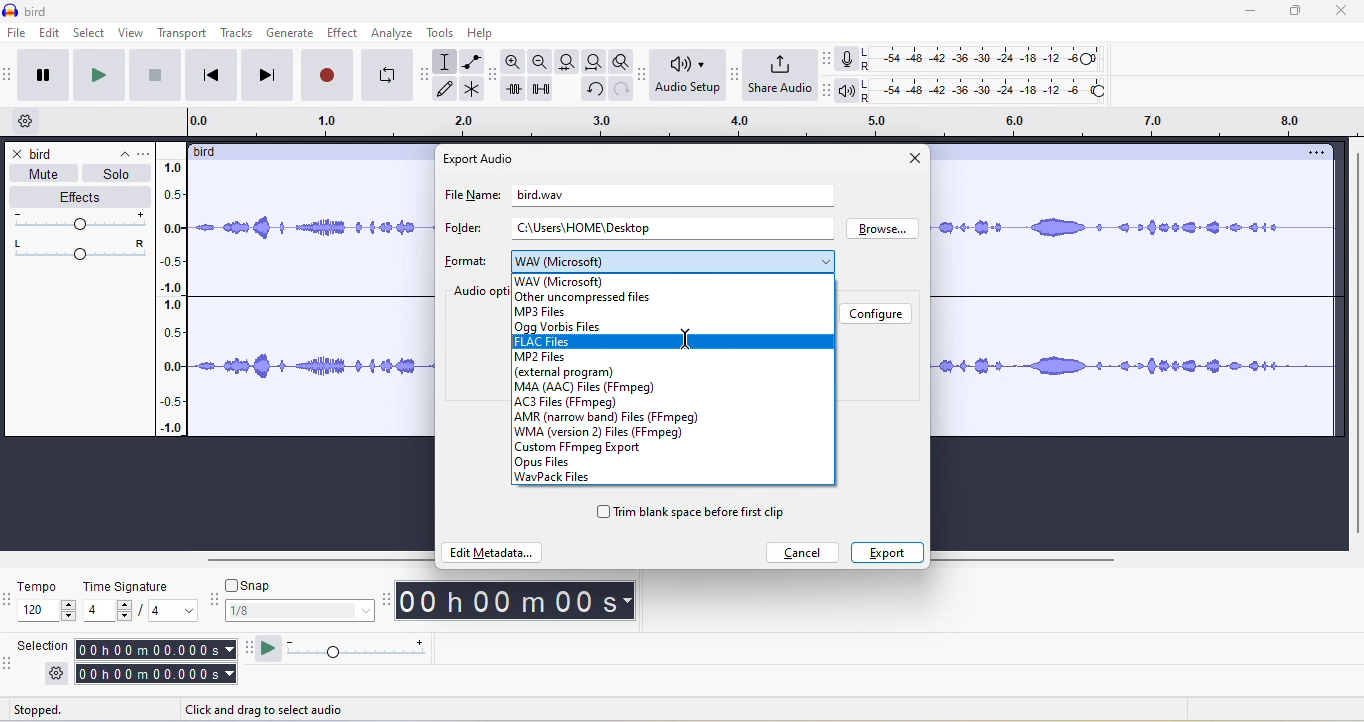  What do you see at coordinates (518, 601) in the screenshot?
I see `timer` at bounding box center [518, 601].